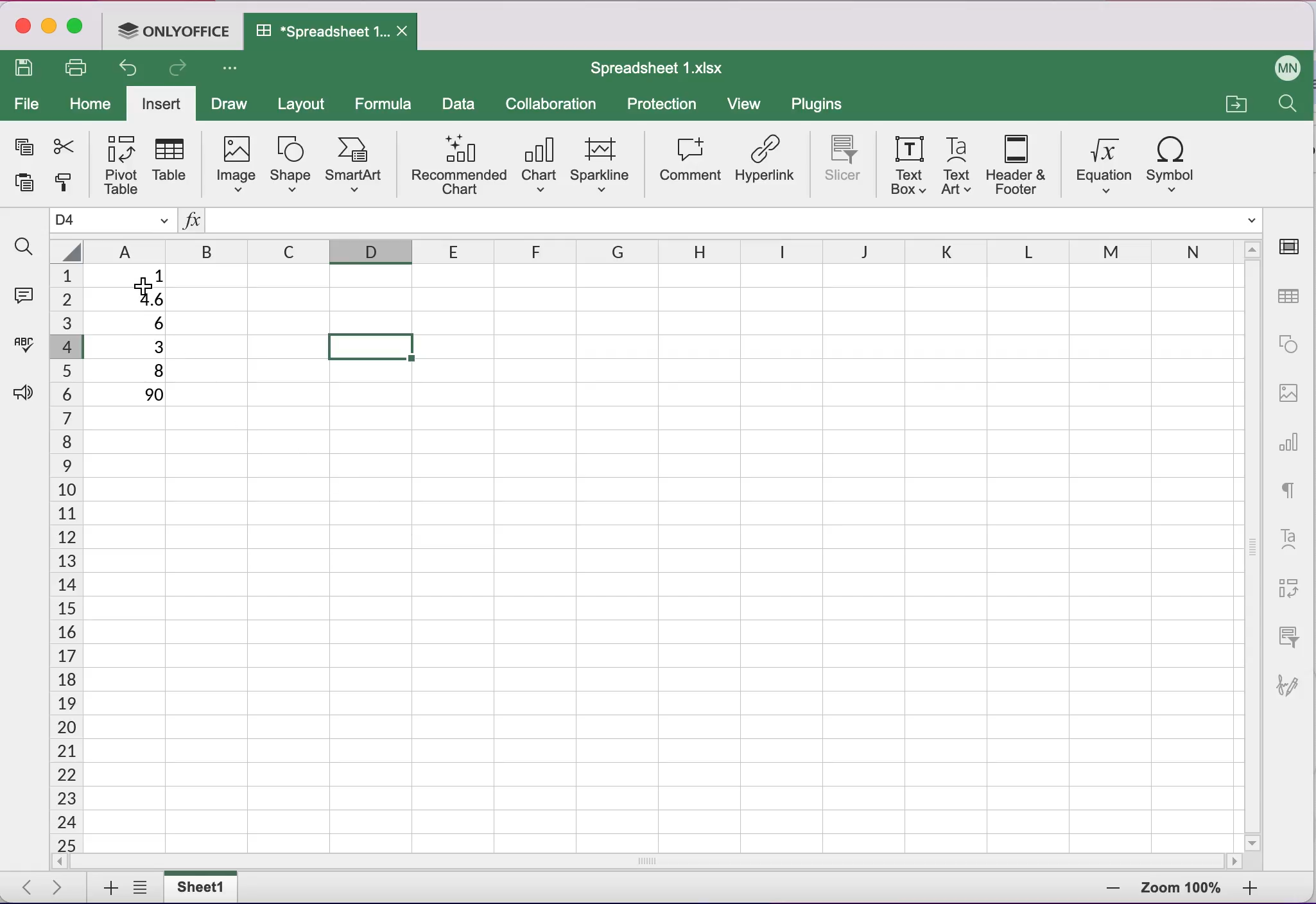 The width and height of the screenshot is (1316, 904). Describe the element at coordinates (1283, 67) in the screenshot. I see `User name` at that location.